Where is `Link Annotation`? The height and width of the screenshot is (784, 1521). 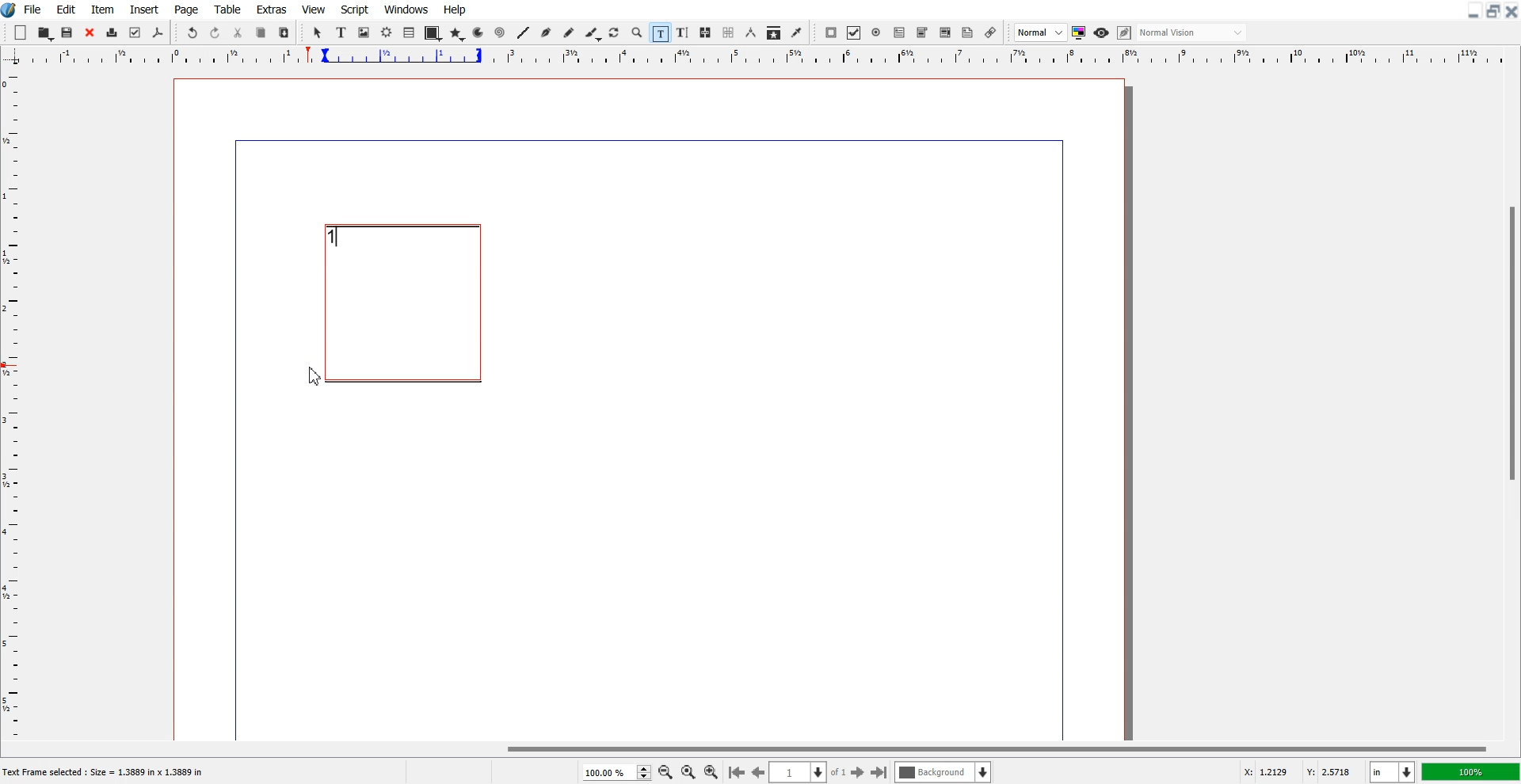 Link Annotation is located at coordinates (990, 32).